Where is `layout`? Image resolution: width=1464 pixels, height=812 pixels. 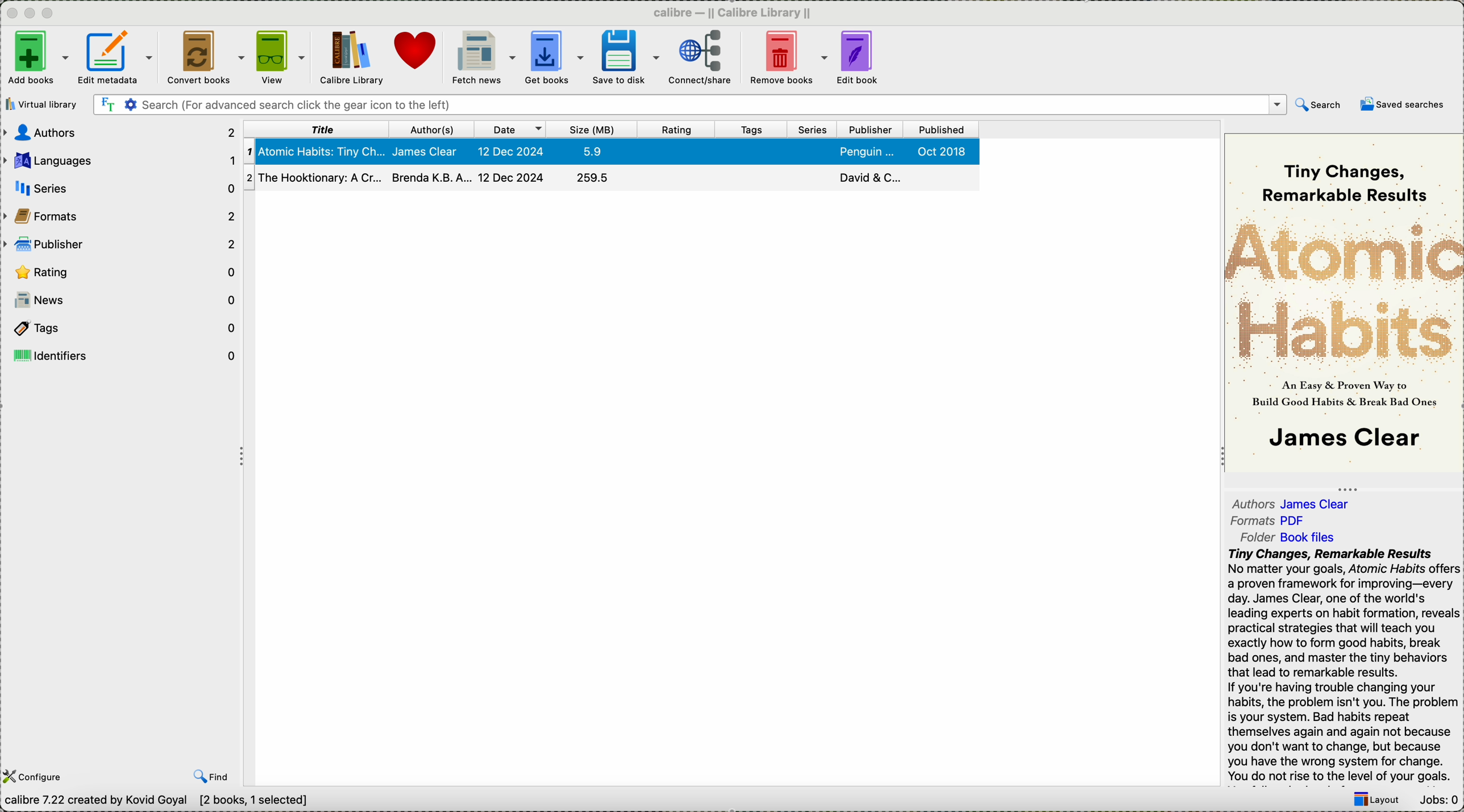
layout is located at coordinates (1376, 797).